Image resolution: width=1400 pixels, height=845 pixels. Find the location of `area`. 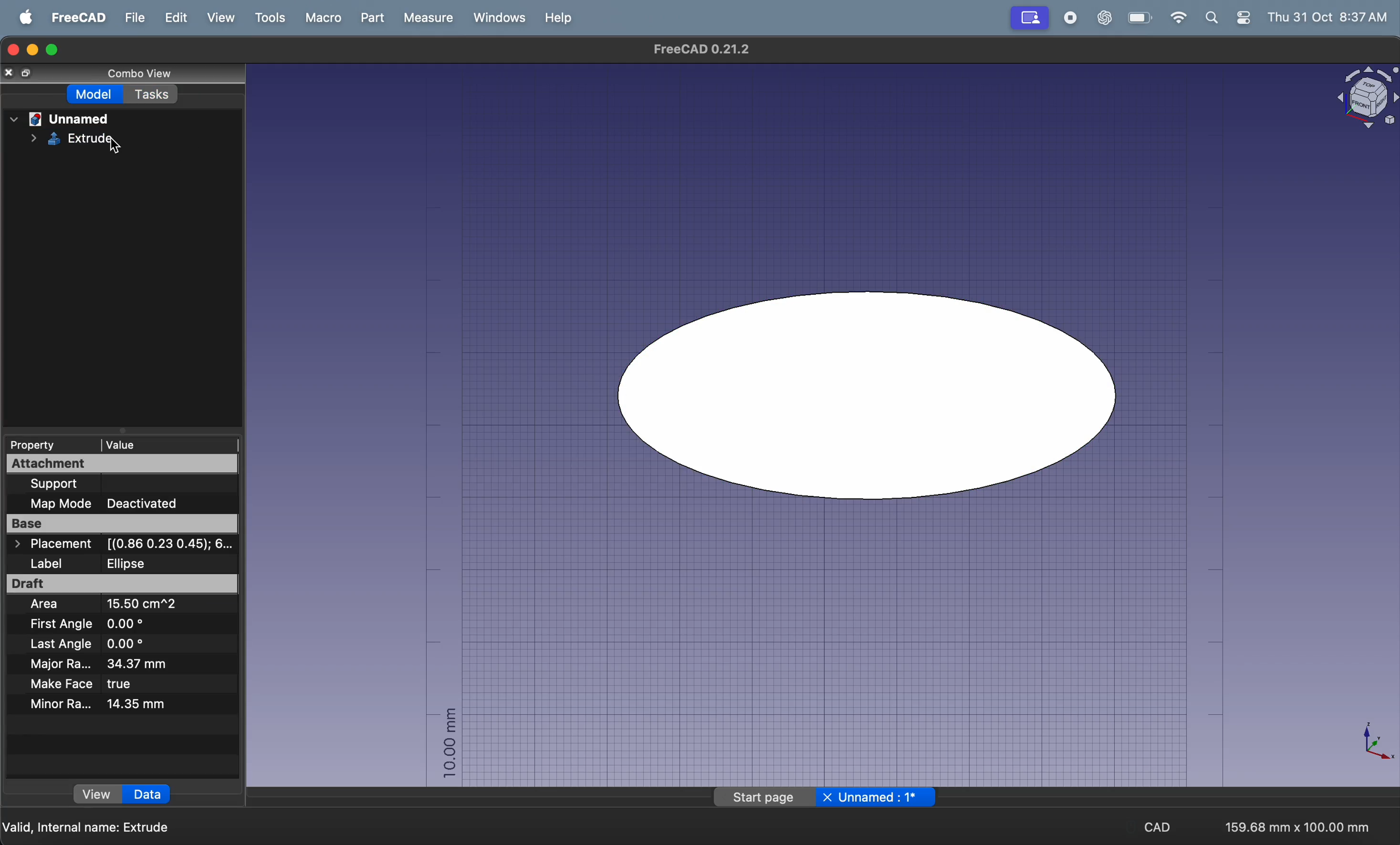

area is located at coordinates (118, 606).